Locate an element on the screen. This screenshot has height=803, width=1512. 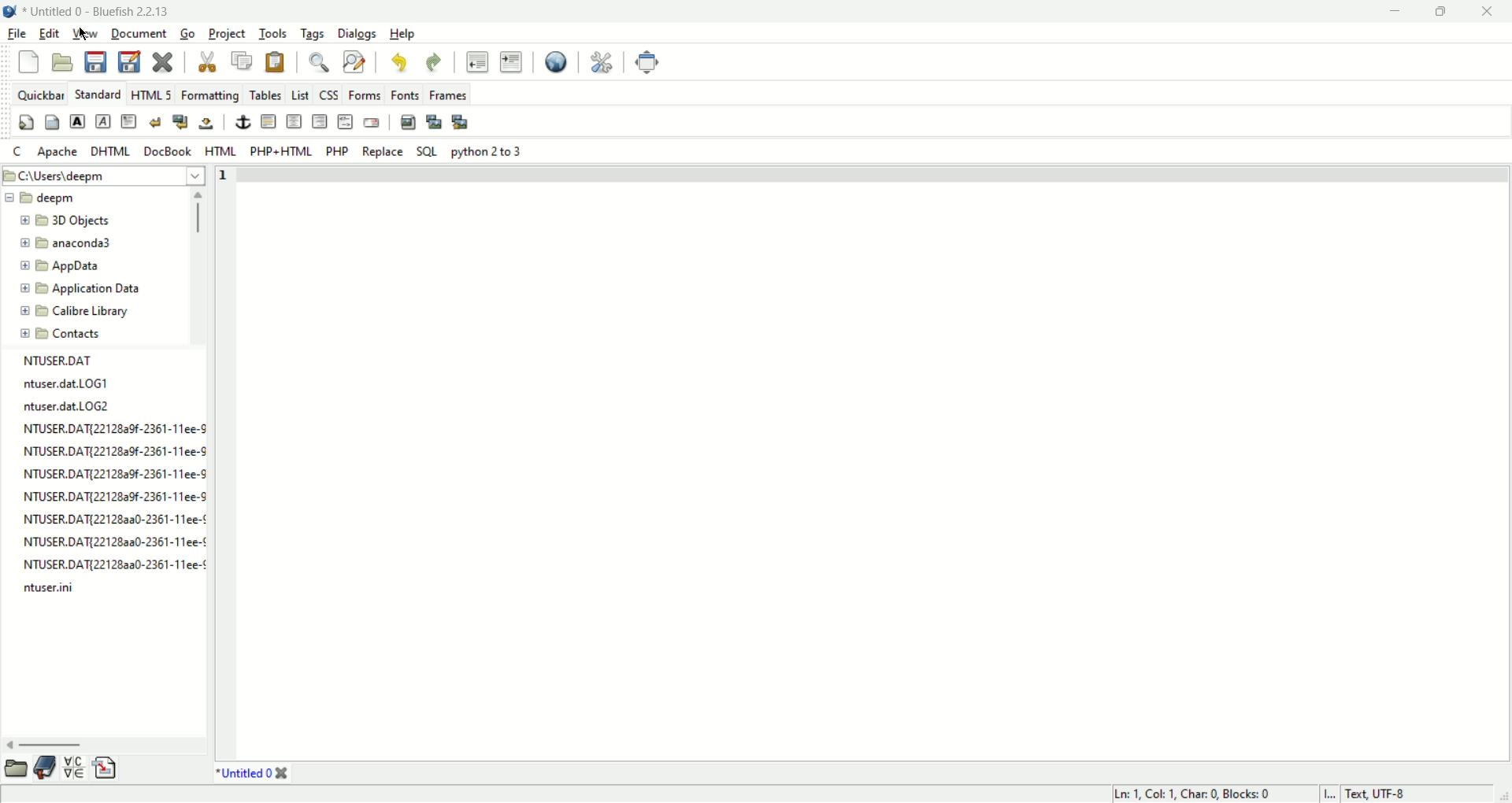
undo is located at coordinates (399, 62).